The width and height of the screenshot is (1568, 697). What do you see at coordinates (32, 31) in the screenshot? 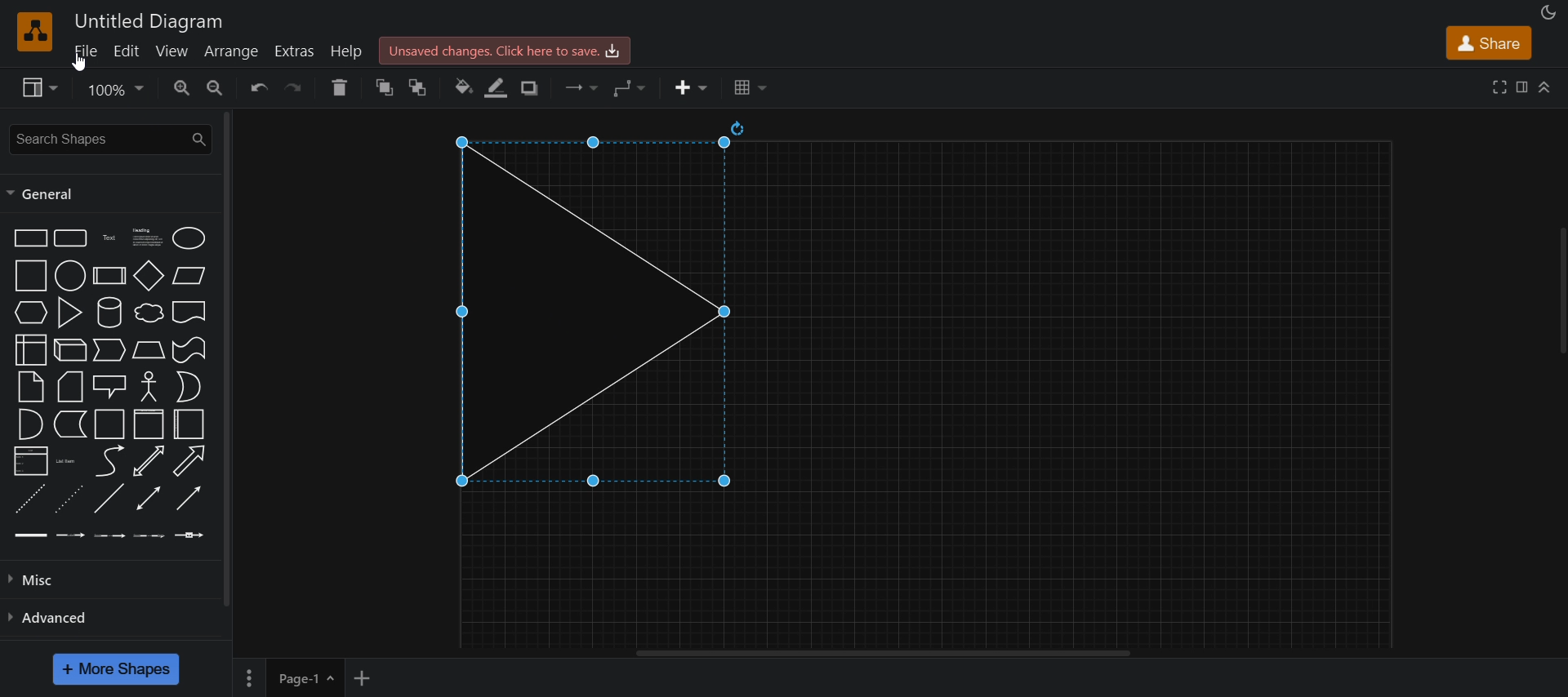
I see `logo` at bounding box center [32, 31].